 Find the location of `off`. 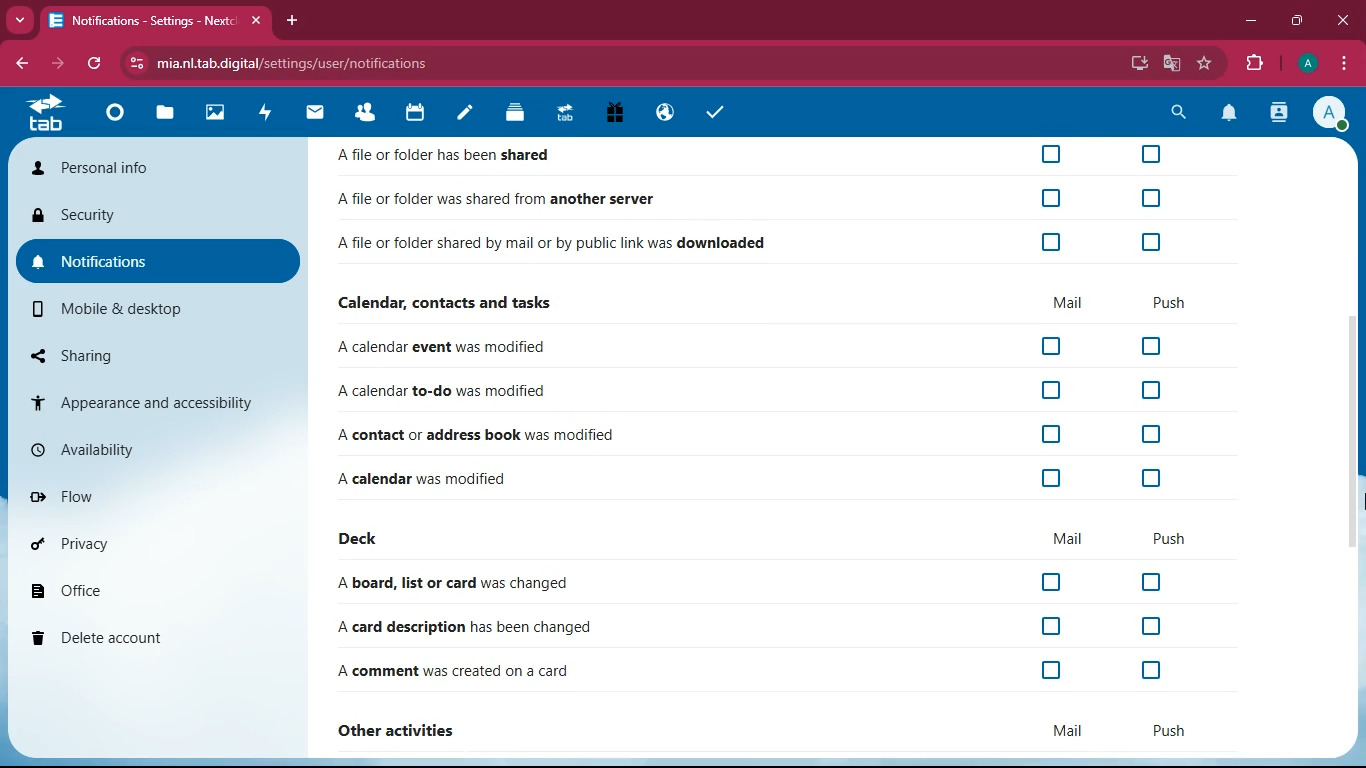

off is located at coordinates (1052, 434).